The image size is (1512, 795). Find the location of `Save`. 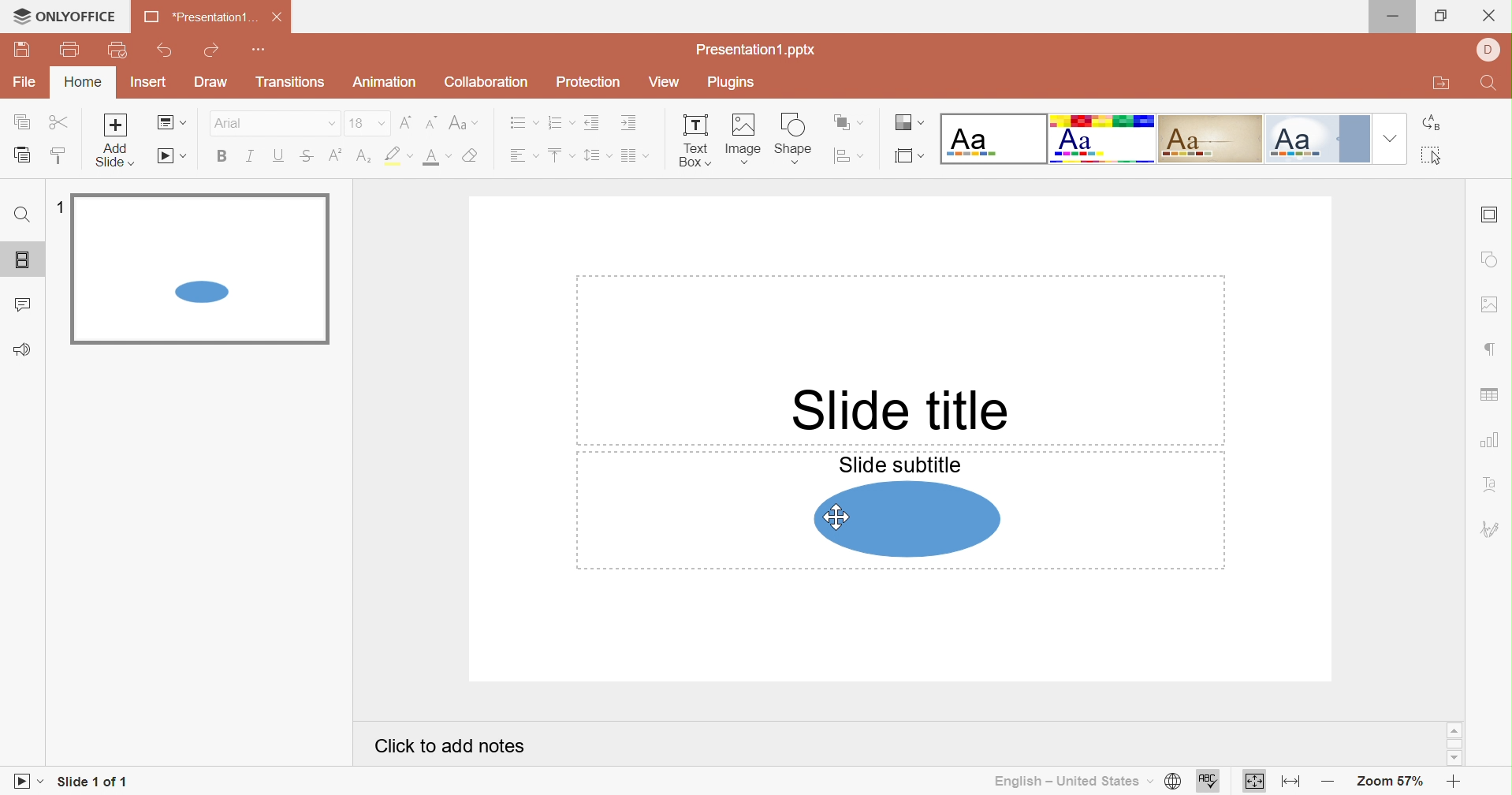

Save is located at coordinates (23, 51).